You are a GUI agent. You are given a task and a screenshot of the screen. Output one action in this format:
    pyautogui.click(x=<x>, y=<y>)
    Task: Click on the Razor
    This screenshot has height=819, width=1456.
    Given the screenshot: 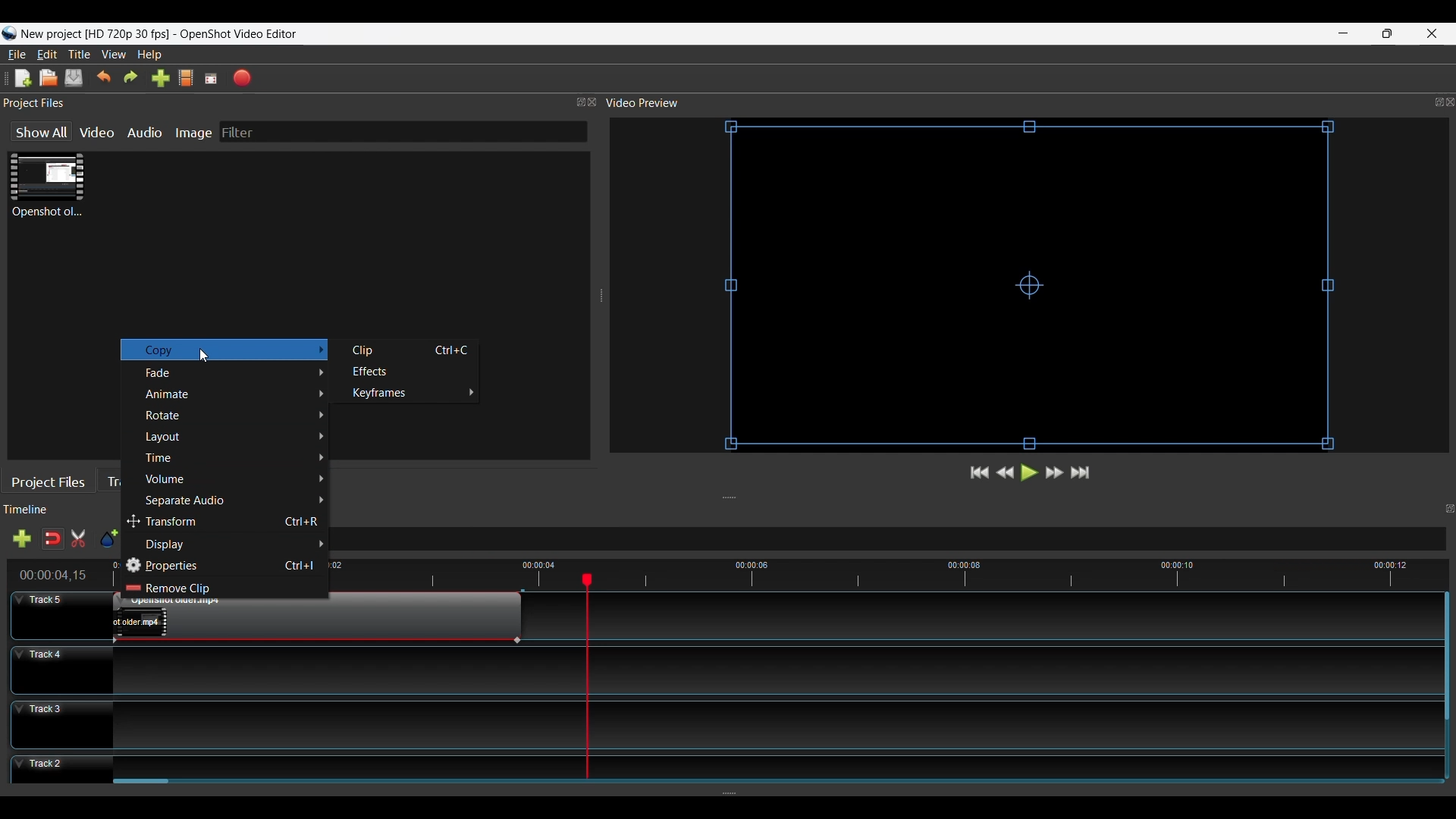 What is the action you would take?
    pyautogui.click(x=80, y=540)
    